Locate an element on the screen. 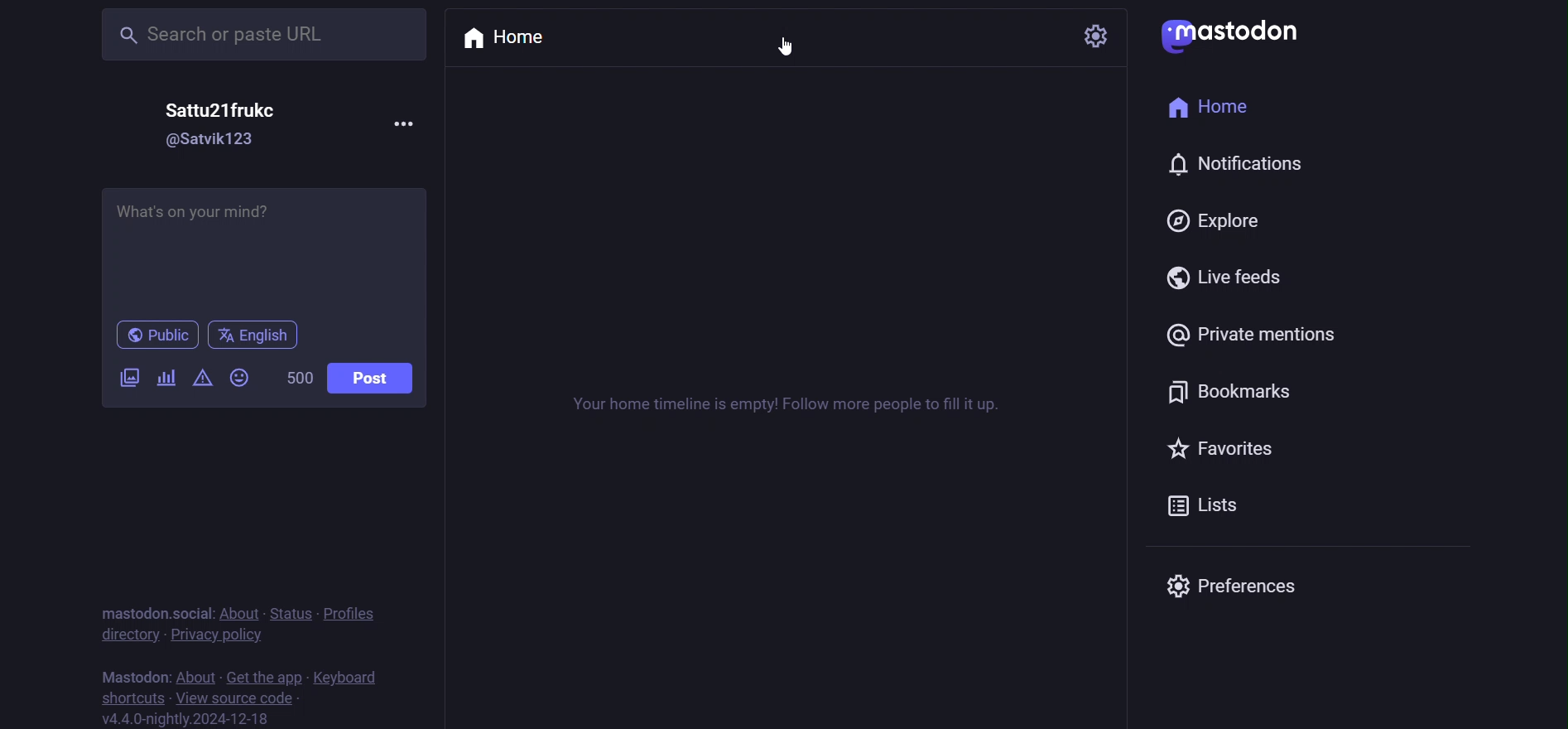 The image size is (1568, 729). setting is located at coordinates (1095, 32).